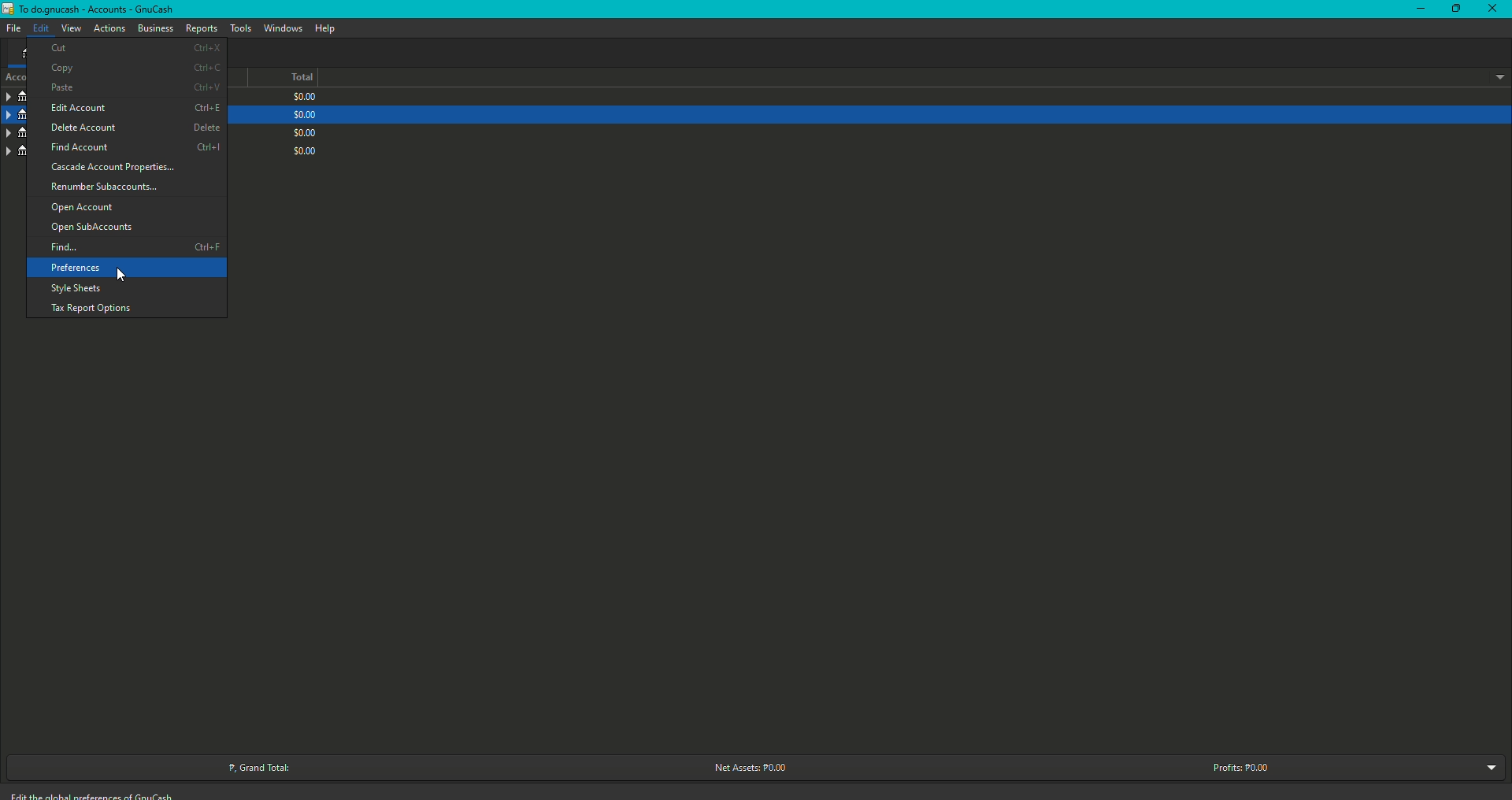  Describe the element at coordinates (201, 28) in the screenshot. I see `Reports` at that location.